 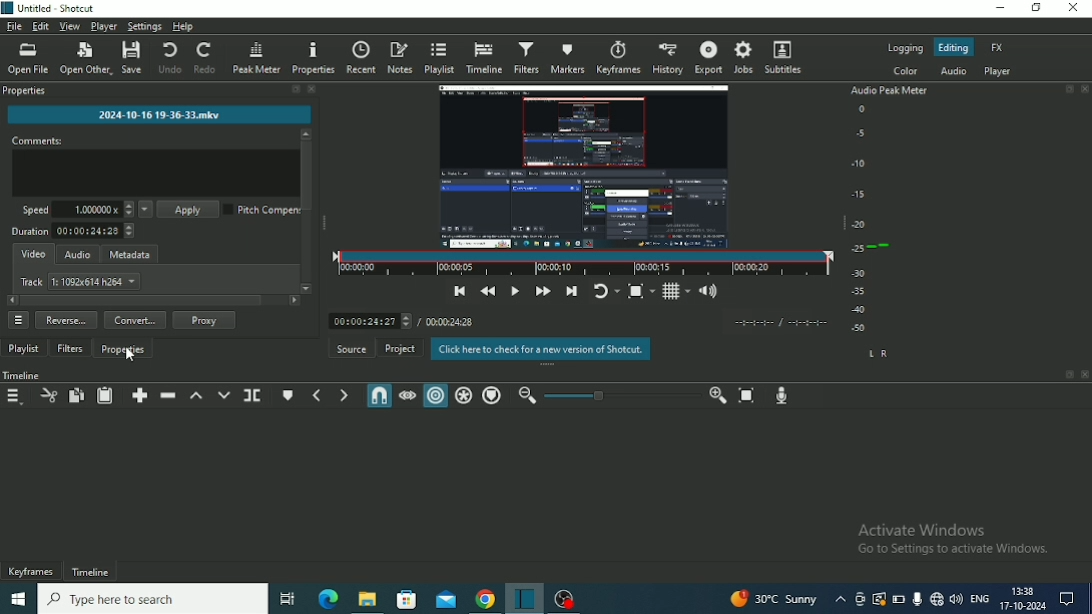 I want to click on Expand, so click(x=294, y=89).